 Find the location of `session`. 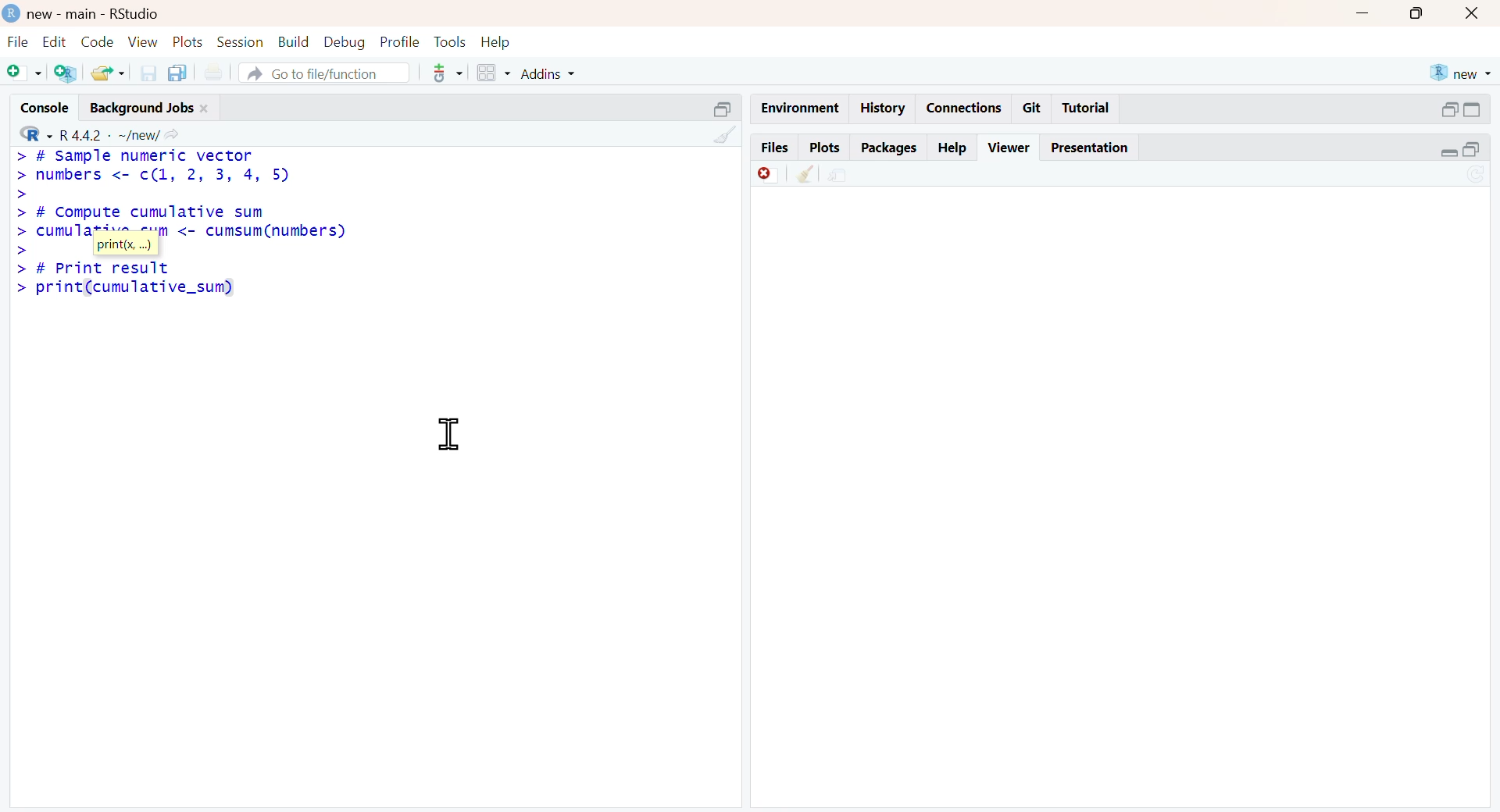

session is located at coordinates (241, 41).